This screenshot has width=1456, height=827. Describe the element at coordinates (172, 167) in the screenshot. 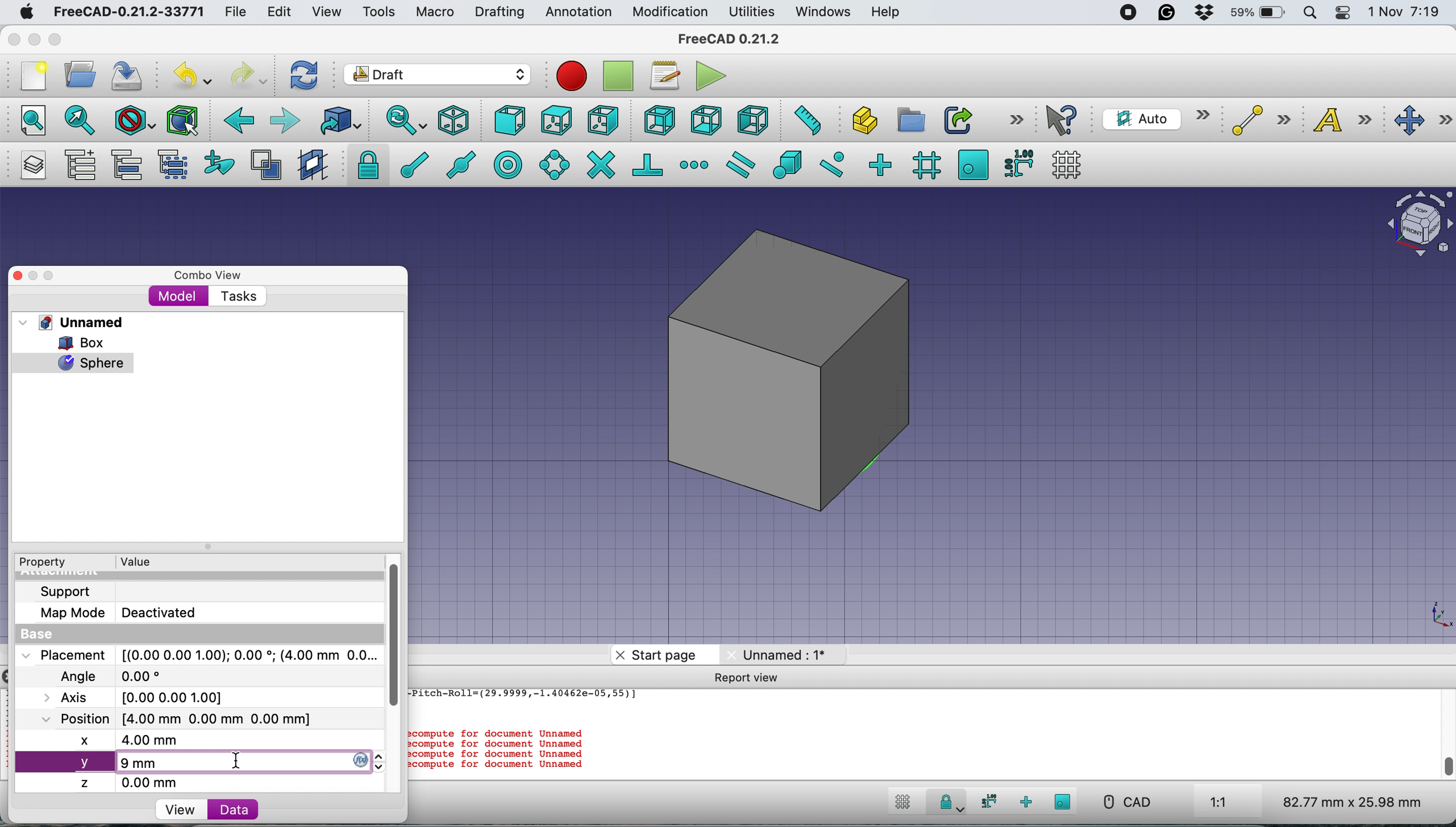

I see `select group` at that location.